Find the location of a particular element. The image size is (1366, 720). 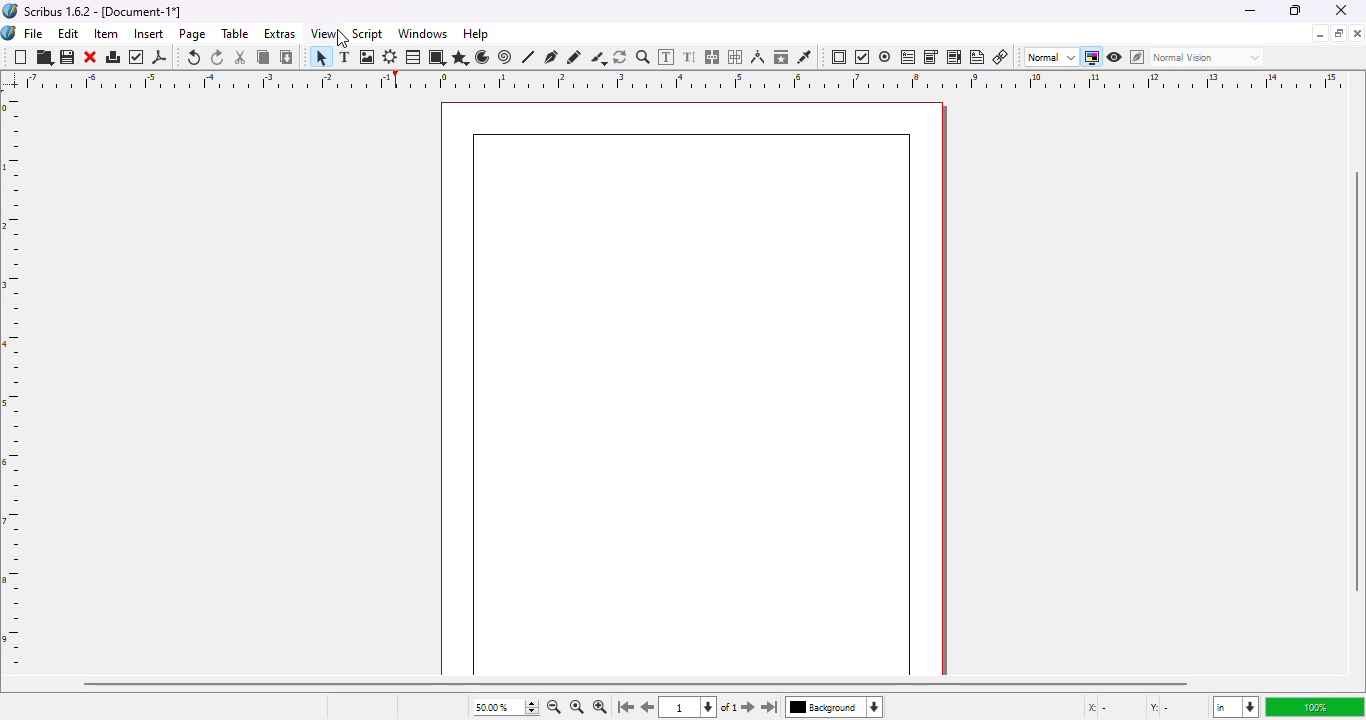

background is located at coordinates (840, 709).